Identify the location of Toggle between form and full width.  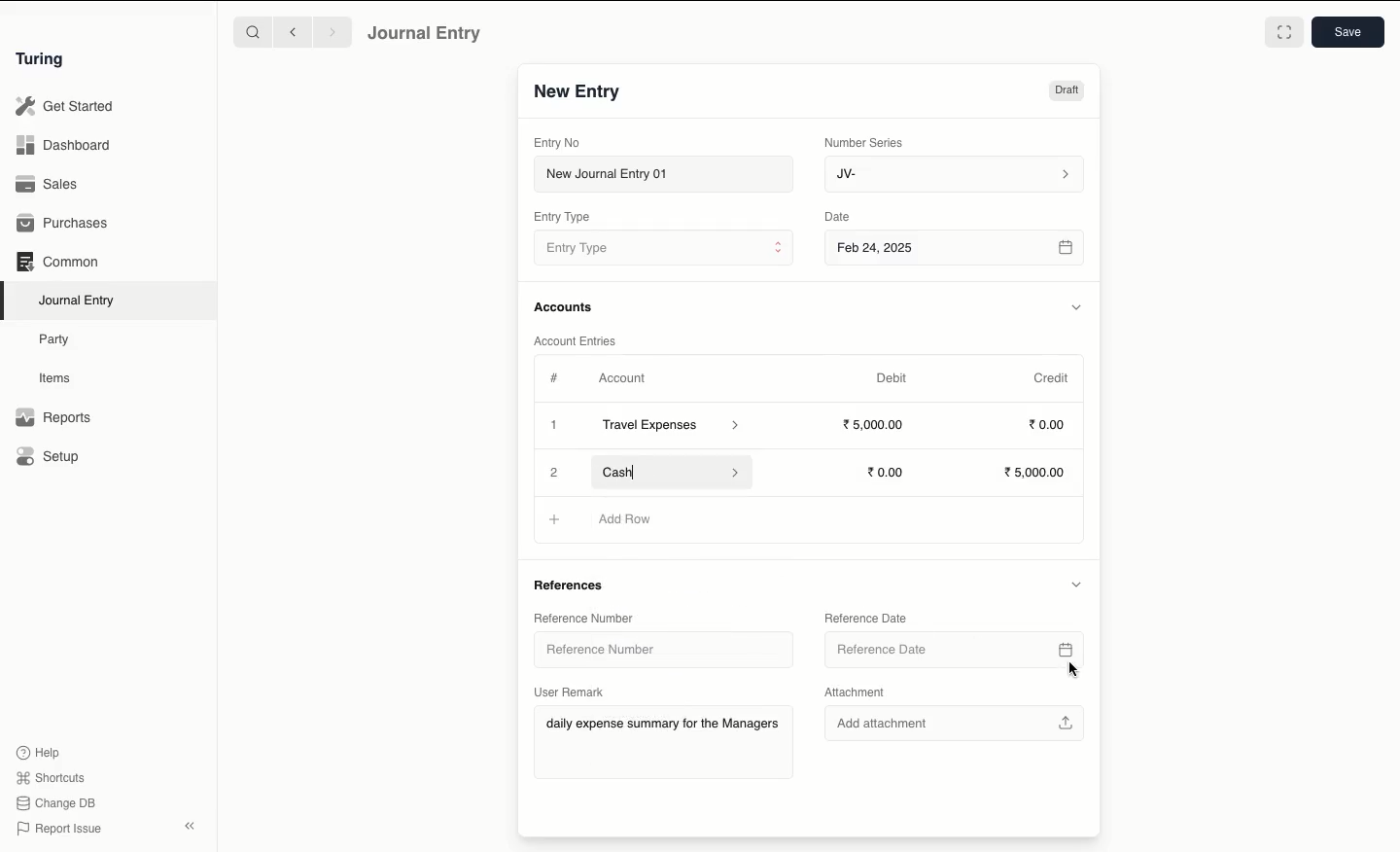
(1284, 32).